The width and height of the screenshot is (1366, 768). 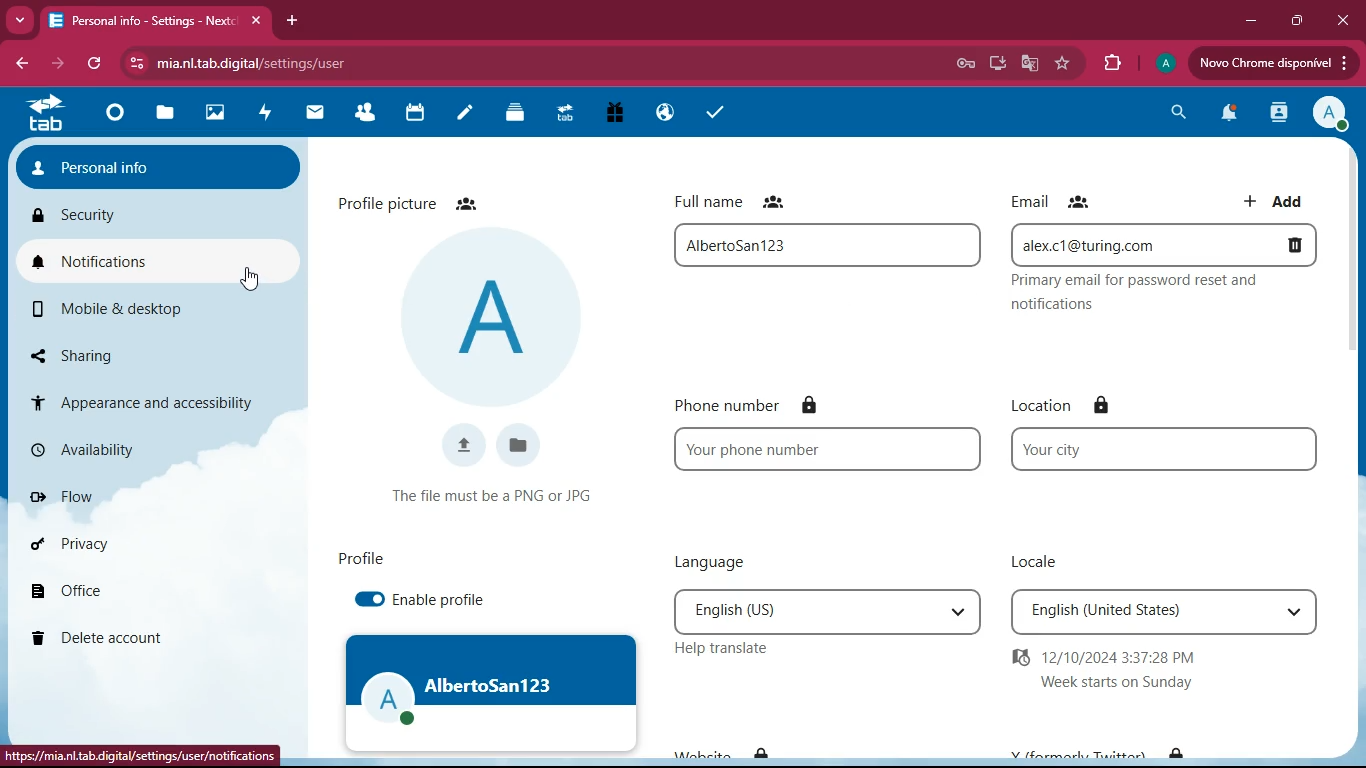 What do you see at coordinates (995, 62) in the screenshot?
I see `desktop` at bounding box center [995, 62].